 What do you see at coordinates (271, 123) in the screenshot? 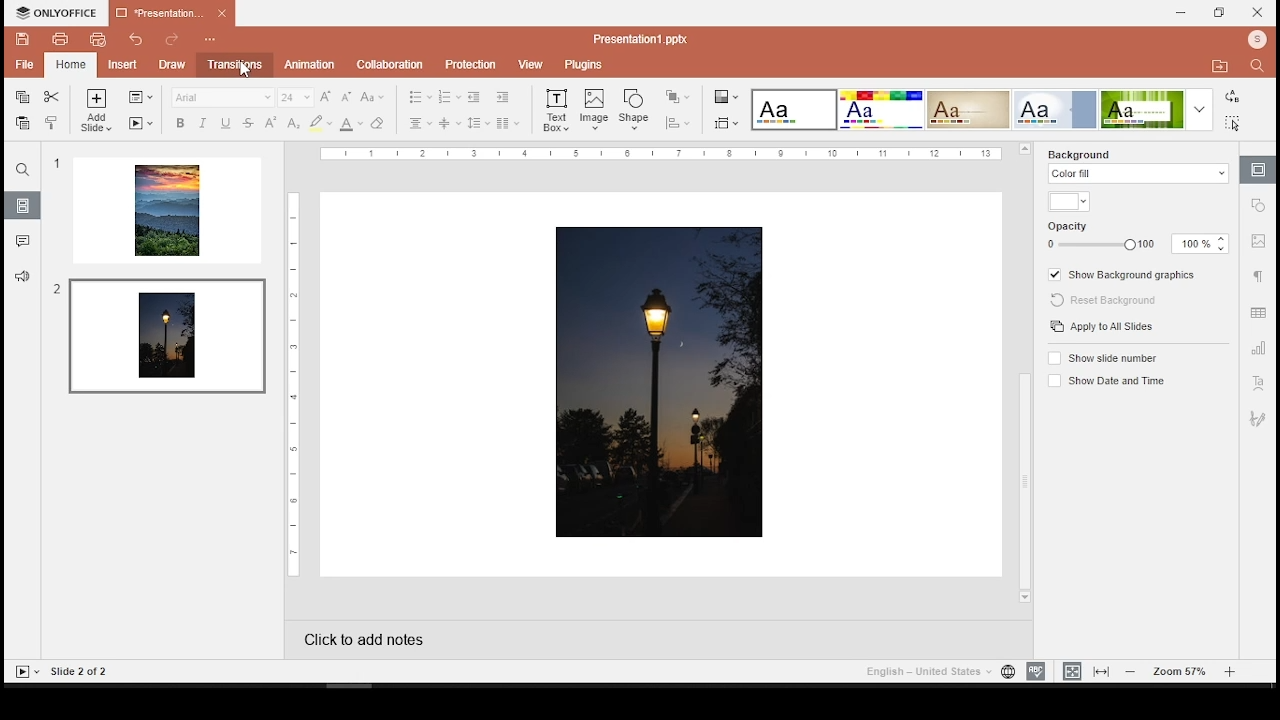
I see `superscript` at bounding box center [271, 123].